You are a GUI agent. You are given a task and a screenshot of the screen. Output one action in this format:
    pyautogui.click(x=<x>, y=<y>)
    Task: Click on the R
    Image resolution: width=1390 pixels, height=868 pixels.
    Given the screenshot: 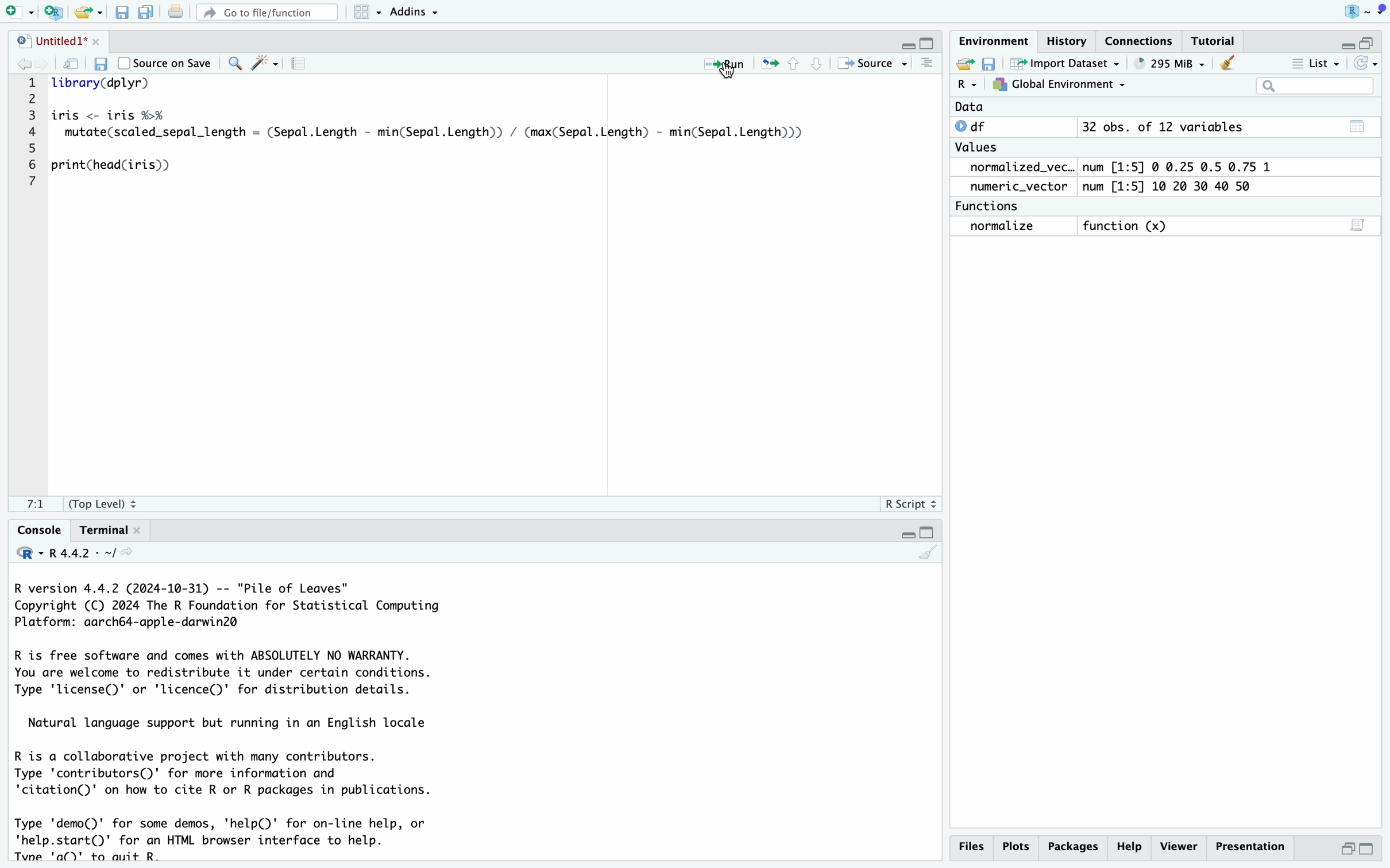 What is the action you would take?
    pyautogui.click(x=967, y=85)
    